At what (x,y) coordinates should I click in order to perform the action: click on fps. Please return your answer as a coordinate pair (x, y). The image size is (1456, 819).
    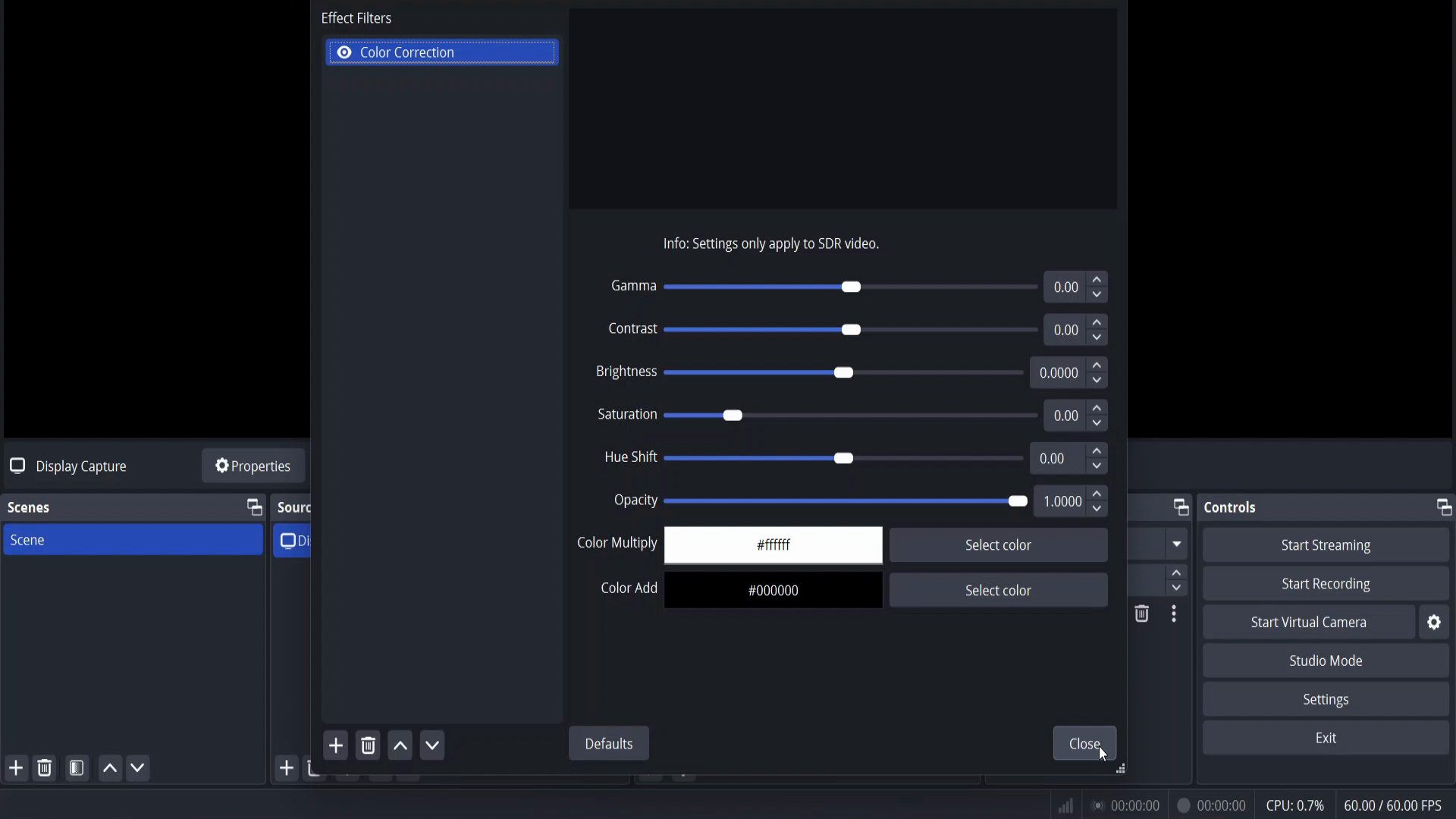
    Looking at the image, I should click on (1395, 805).